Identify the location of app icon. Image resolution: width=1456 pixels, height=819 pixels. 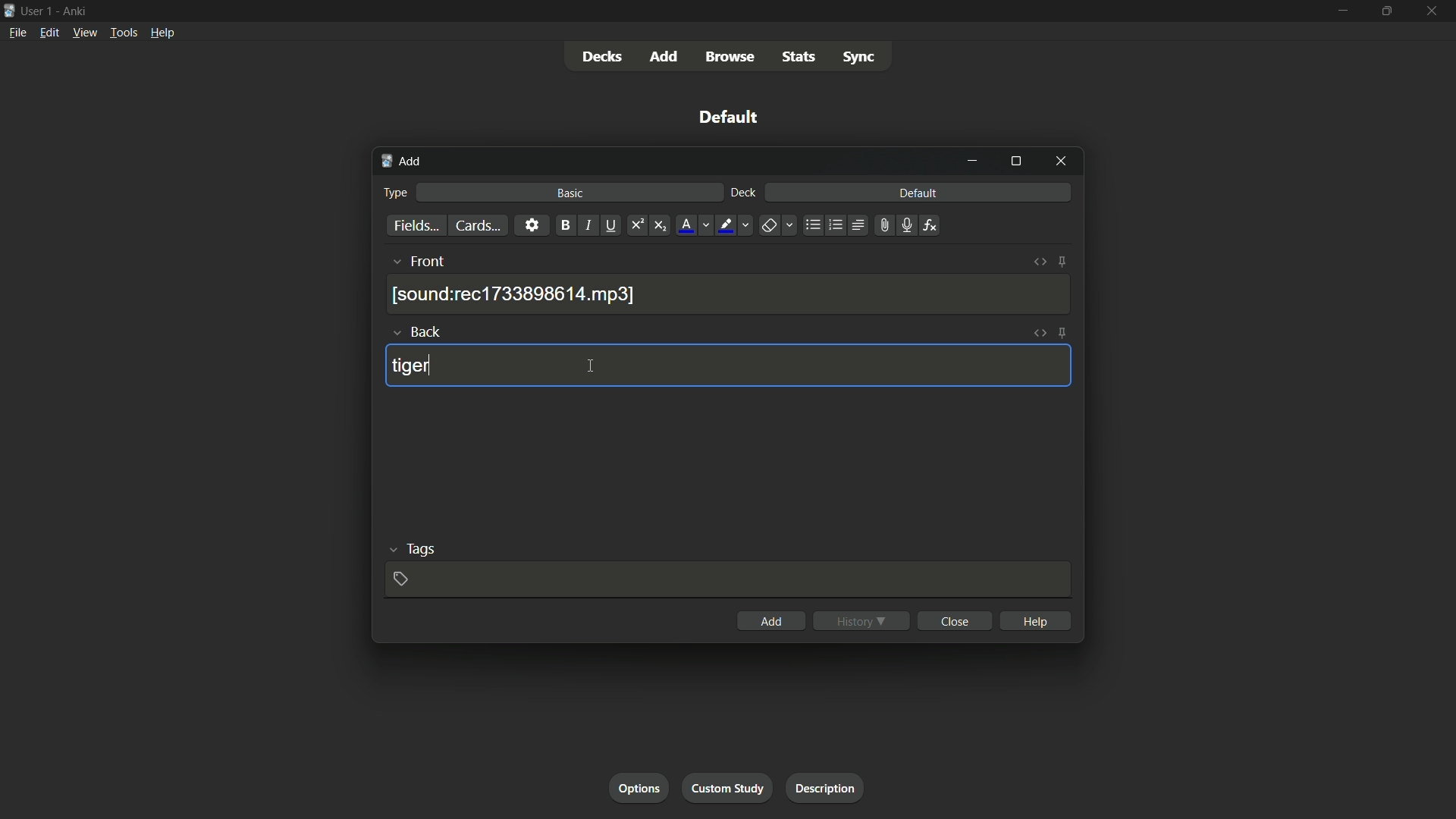
(9, 9).